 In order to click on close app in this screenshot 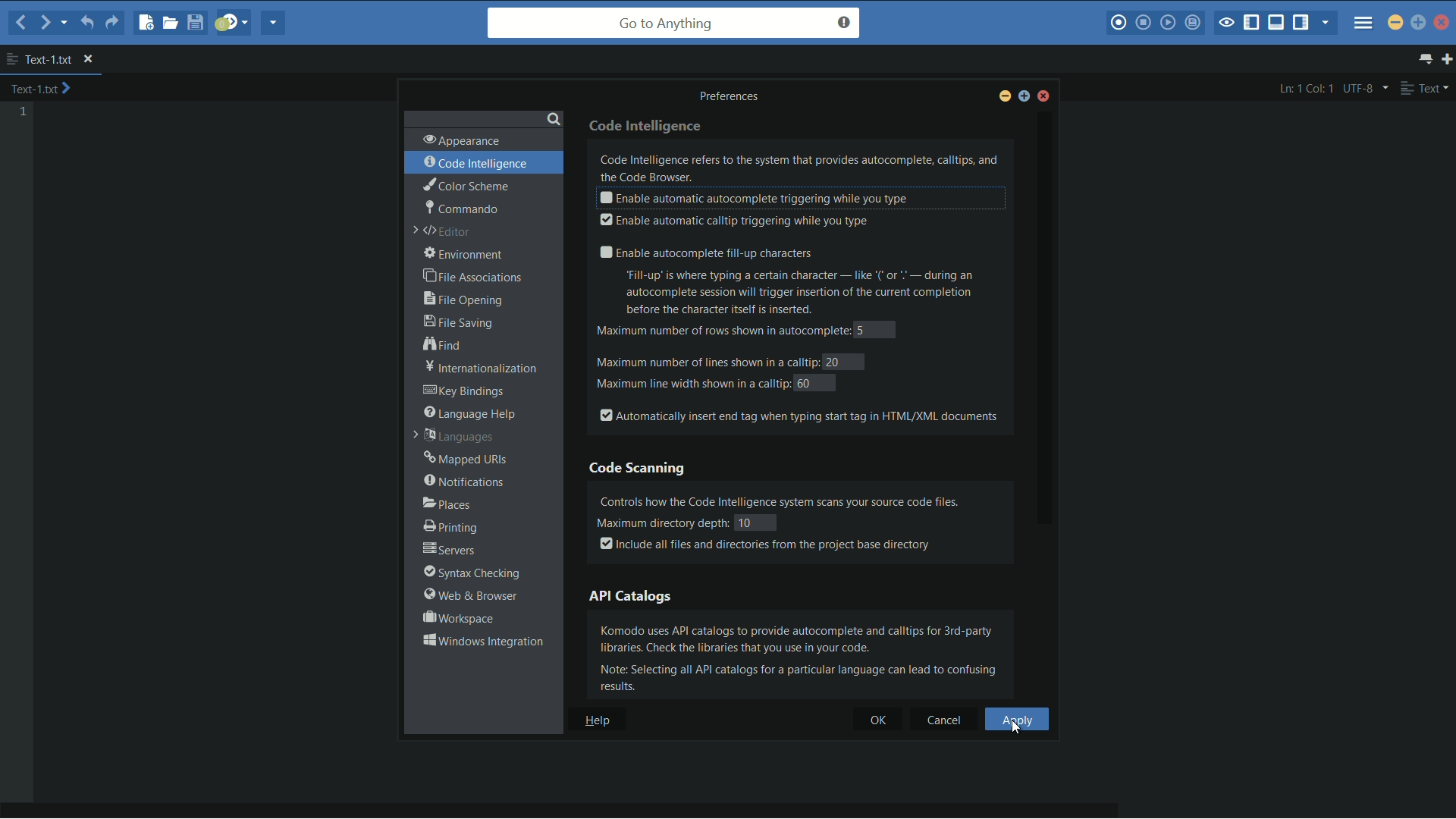, I will do `click(1443, 22)`.